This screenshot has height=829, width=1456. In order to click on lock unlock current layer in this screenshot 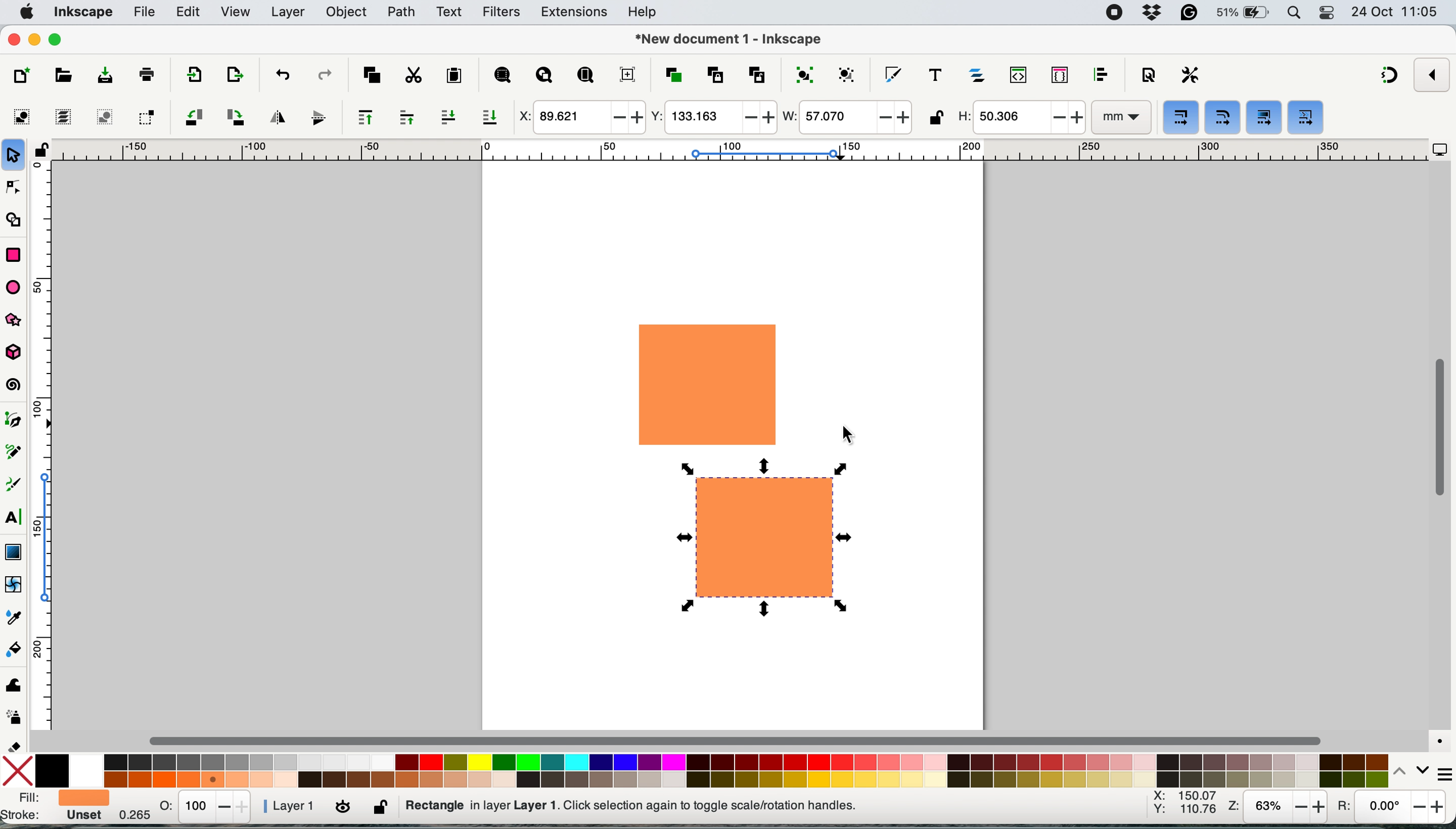, I will do `click(383, 810)`.